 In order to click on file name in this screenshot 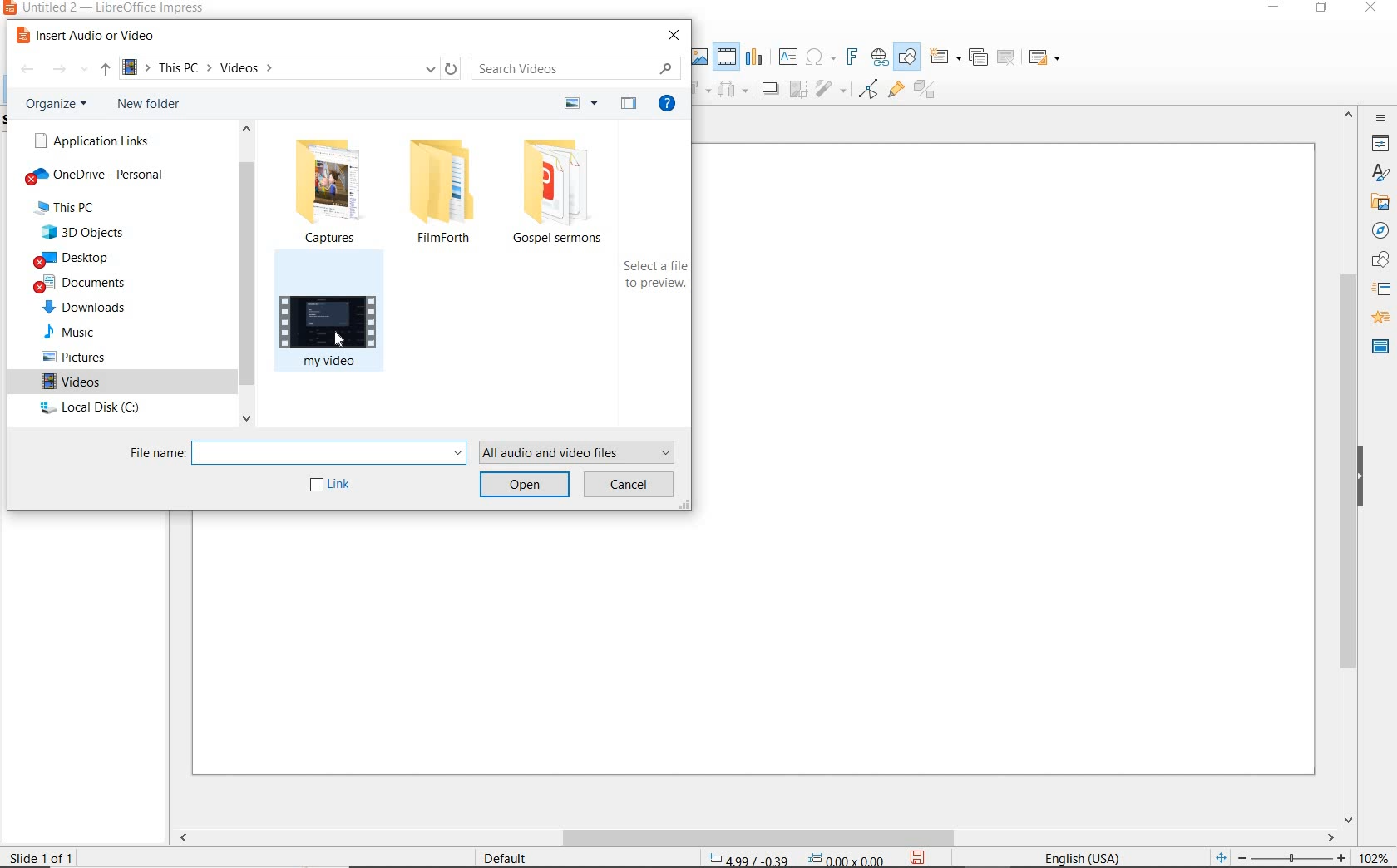, I will do `click(294, 453)`.